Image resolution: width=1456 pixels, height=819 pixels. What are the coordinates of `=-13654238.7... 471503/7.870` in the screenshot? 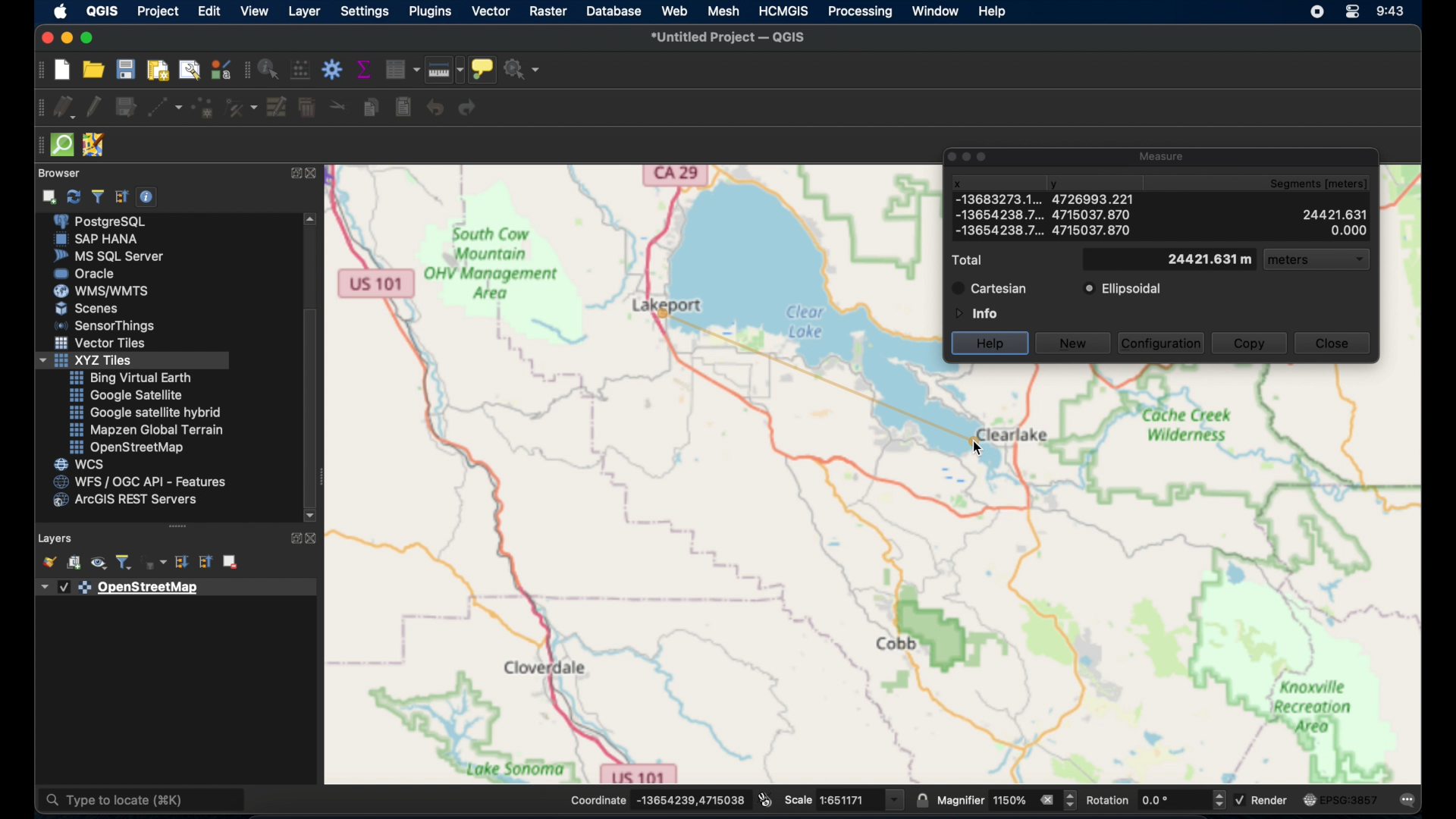 It's located at (1044, 216).